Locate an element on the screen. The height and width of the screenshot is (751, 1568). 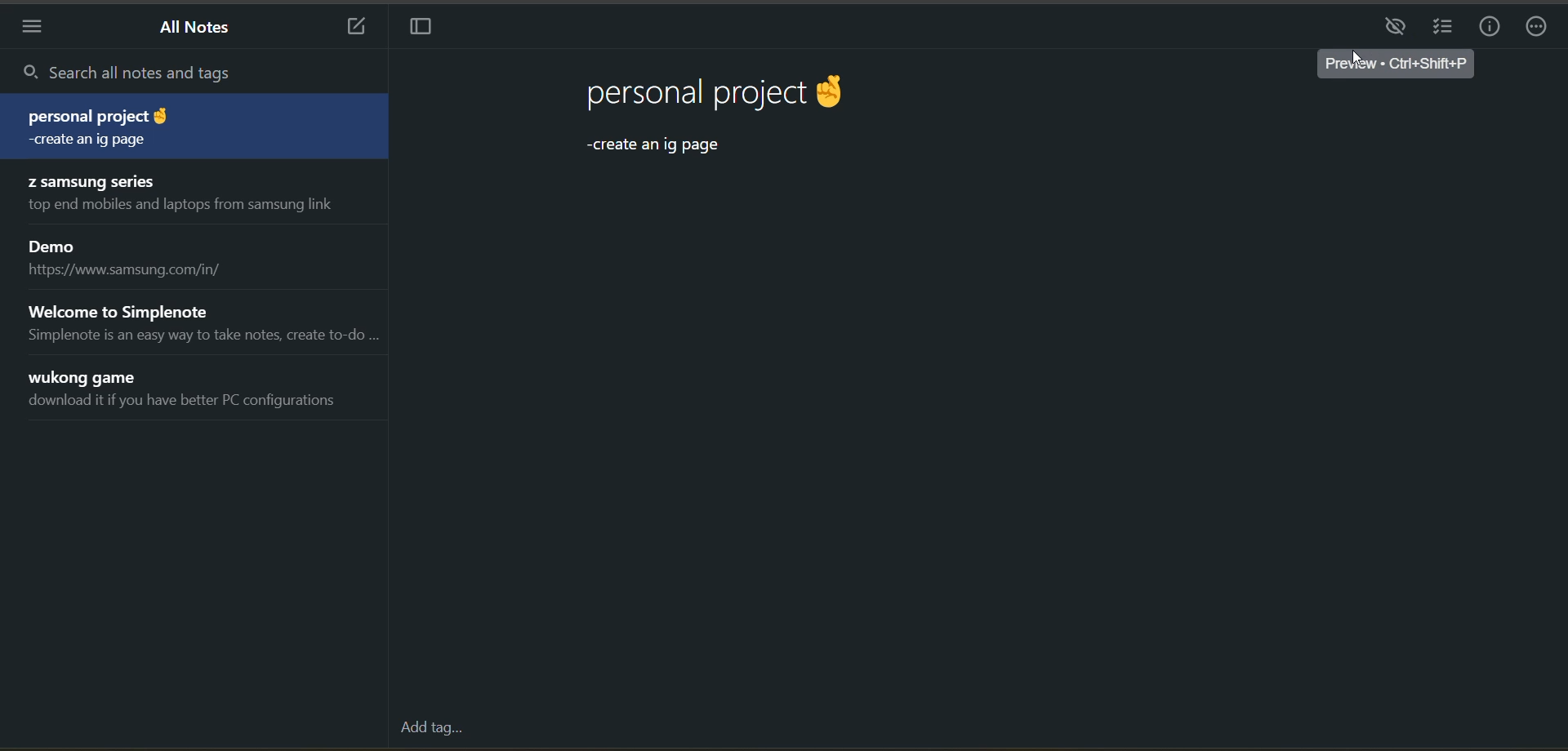
info is located at coordinates (1492, 26).